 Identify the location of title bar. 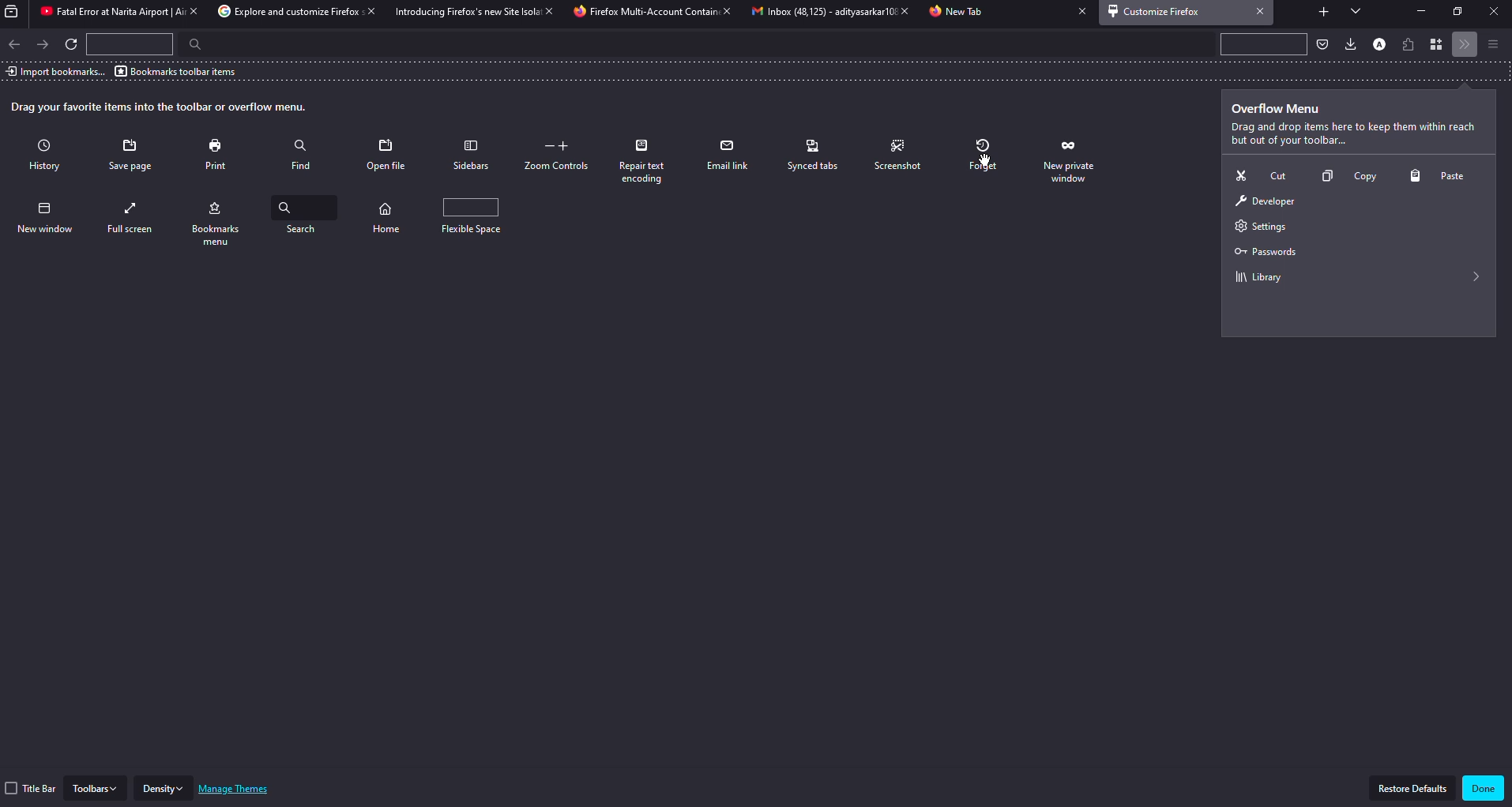
(32, 788).